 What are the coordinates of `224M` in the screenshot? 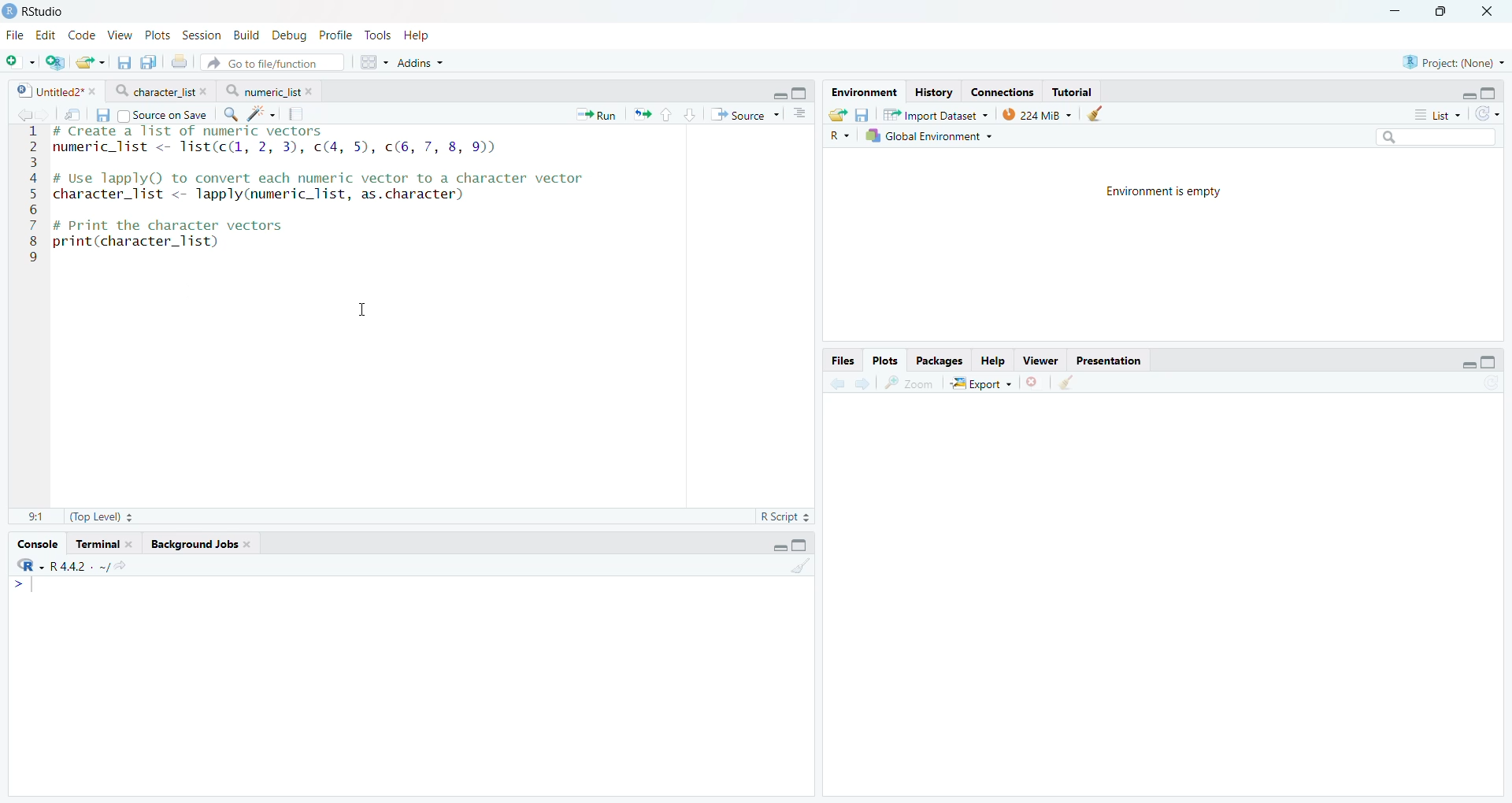 It's located at (1037, 116).